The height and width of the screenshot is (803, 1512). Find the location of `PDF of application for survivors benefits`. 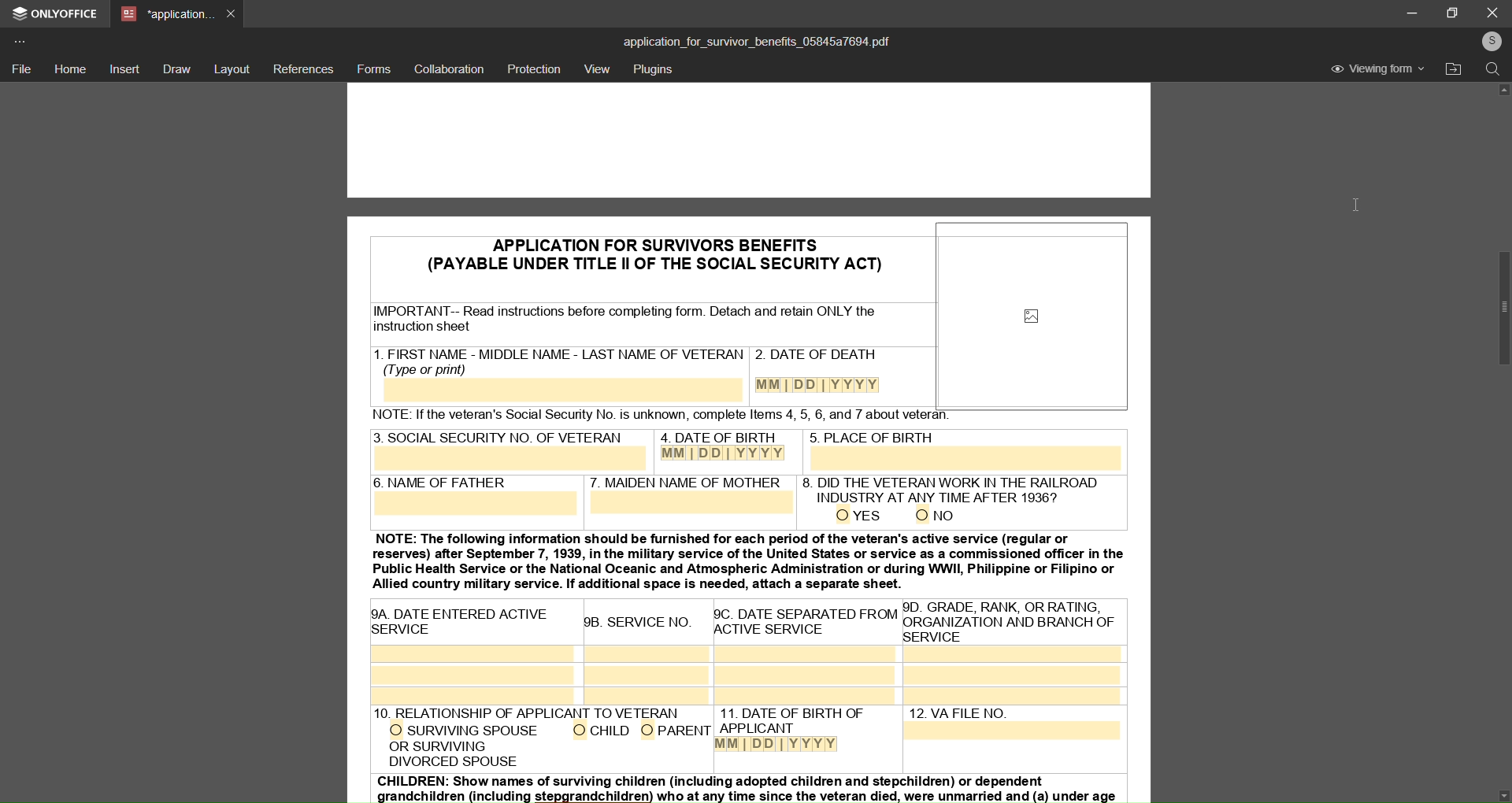

PDF of application for survivors benefits is located at coordinates (748, 141).